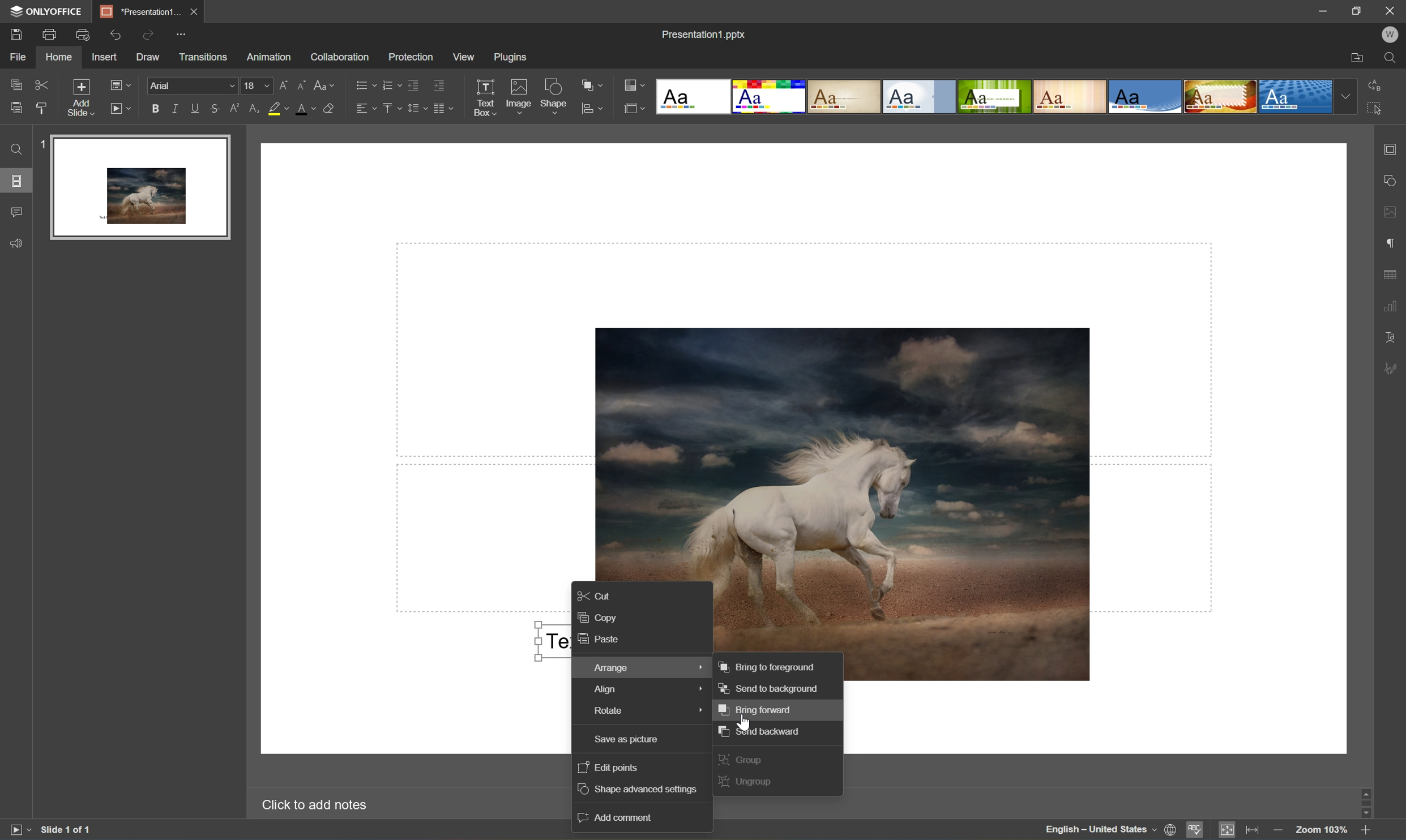 This screenshot has height=840, width=1406. Describe the element at coordinates (608, 768) in the screenshot. I see `Edit points` at that location.